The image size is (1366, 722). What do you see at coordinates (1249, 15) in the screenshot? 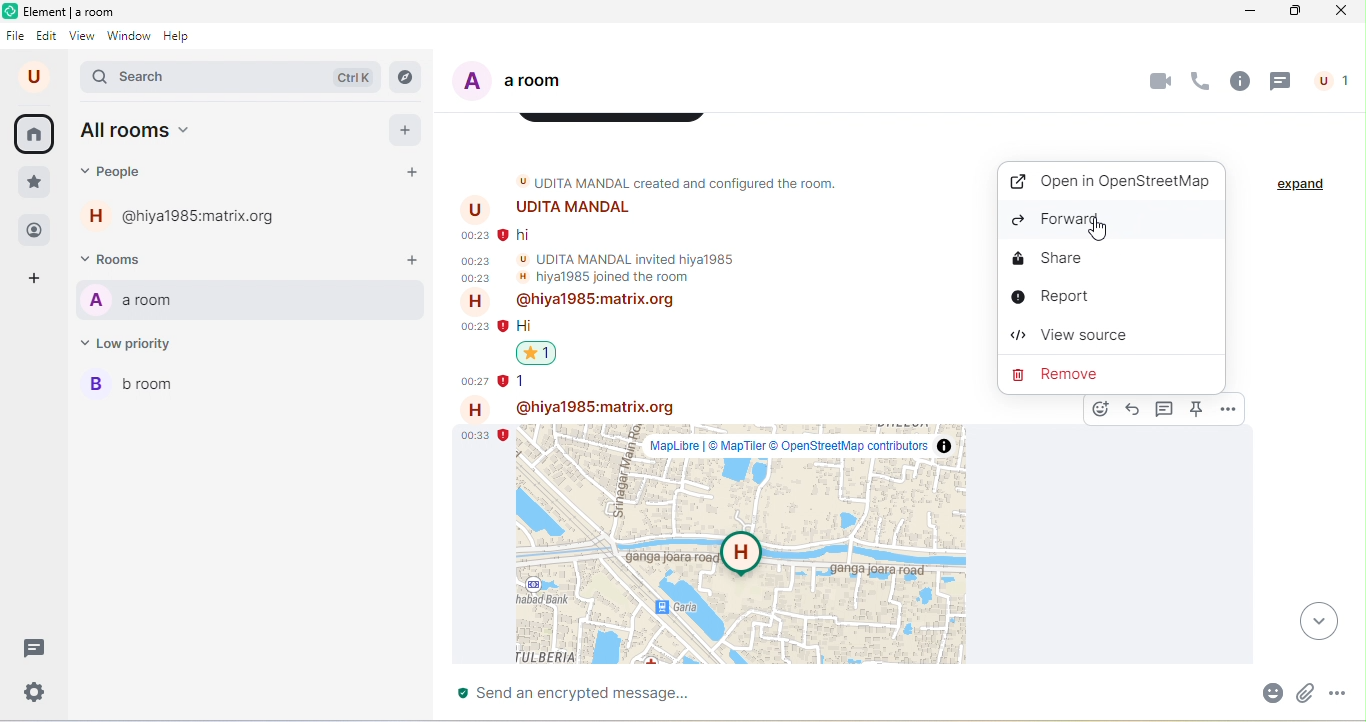
I see `minimize` at bounding box center [1249, 15].